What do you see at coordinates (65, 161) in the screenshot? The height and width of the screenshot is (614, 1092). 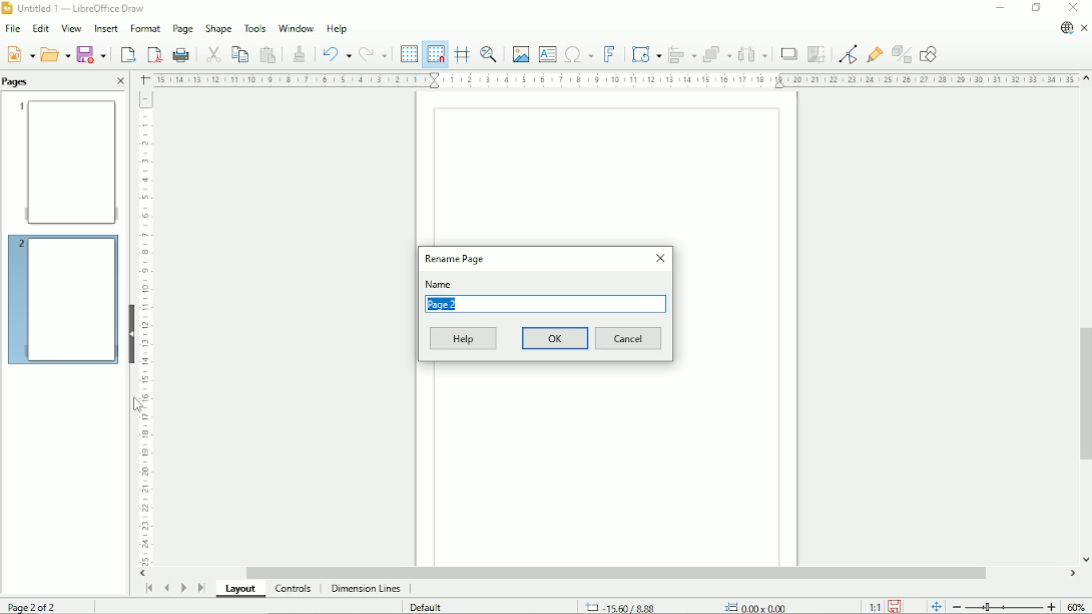 I see `Preview` at bounding box center [65, 161].